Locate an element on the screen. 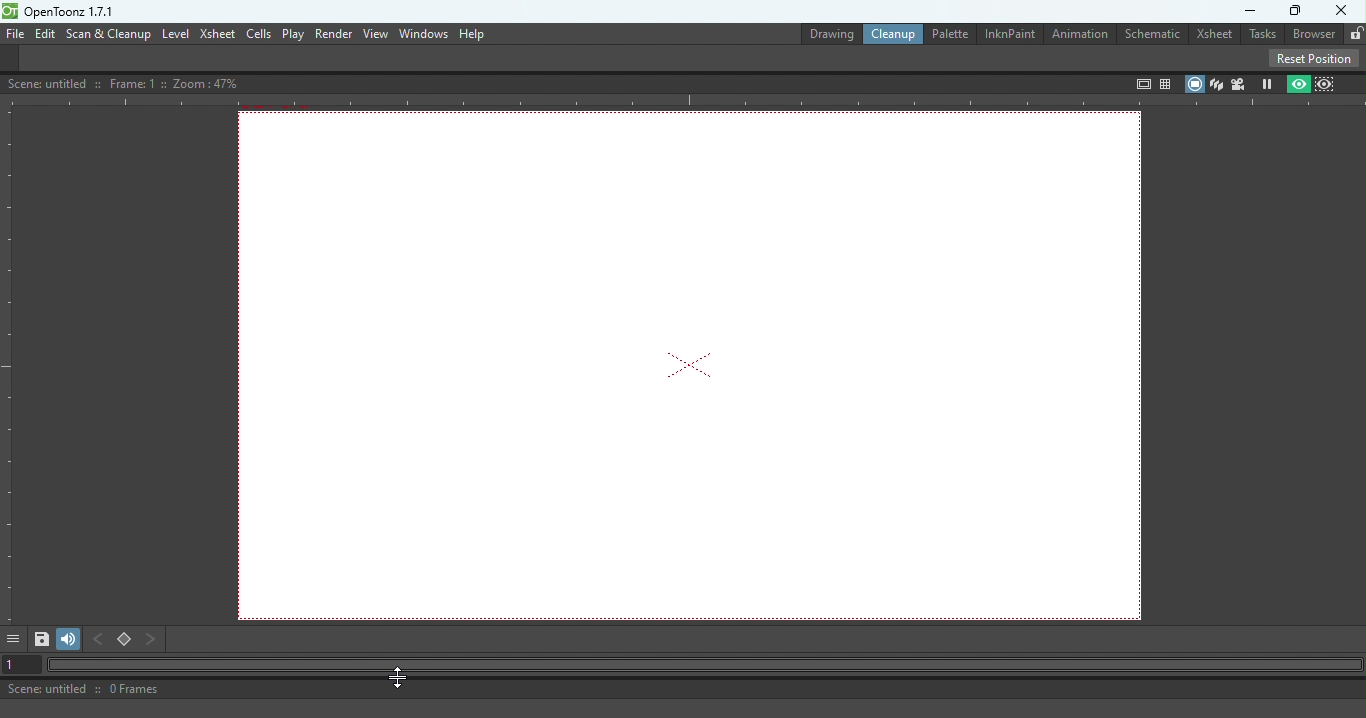  Camera stand view is located at coordinates (1193, 83).